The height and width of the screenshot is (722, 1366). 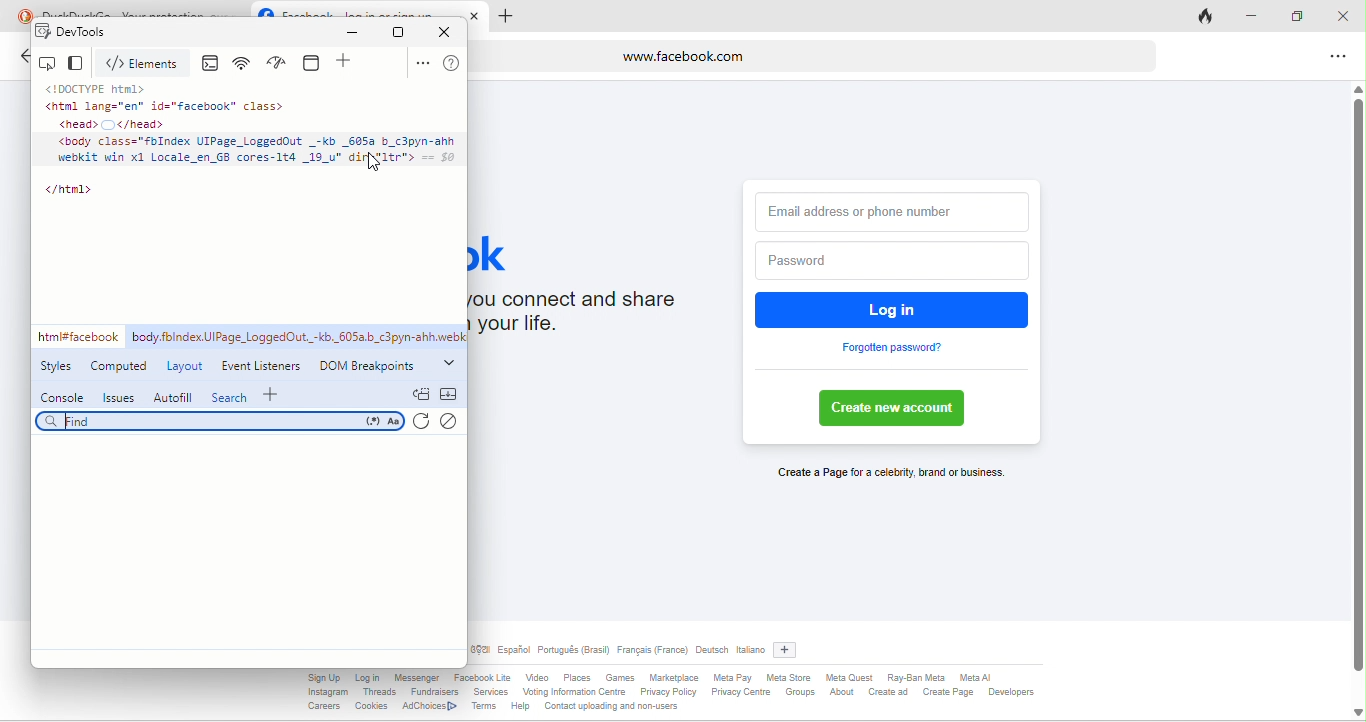 I want to click on doc quick view, so click(x=420, y=393).